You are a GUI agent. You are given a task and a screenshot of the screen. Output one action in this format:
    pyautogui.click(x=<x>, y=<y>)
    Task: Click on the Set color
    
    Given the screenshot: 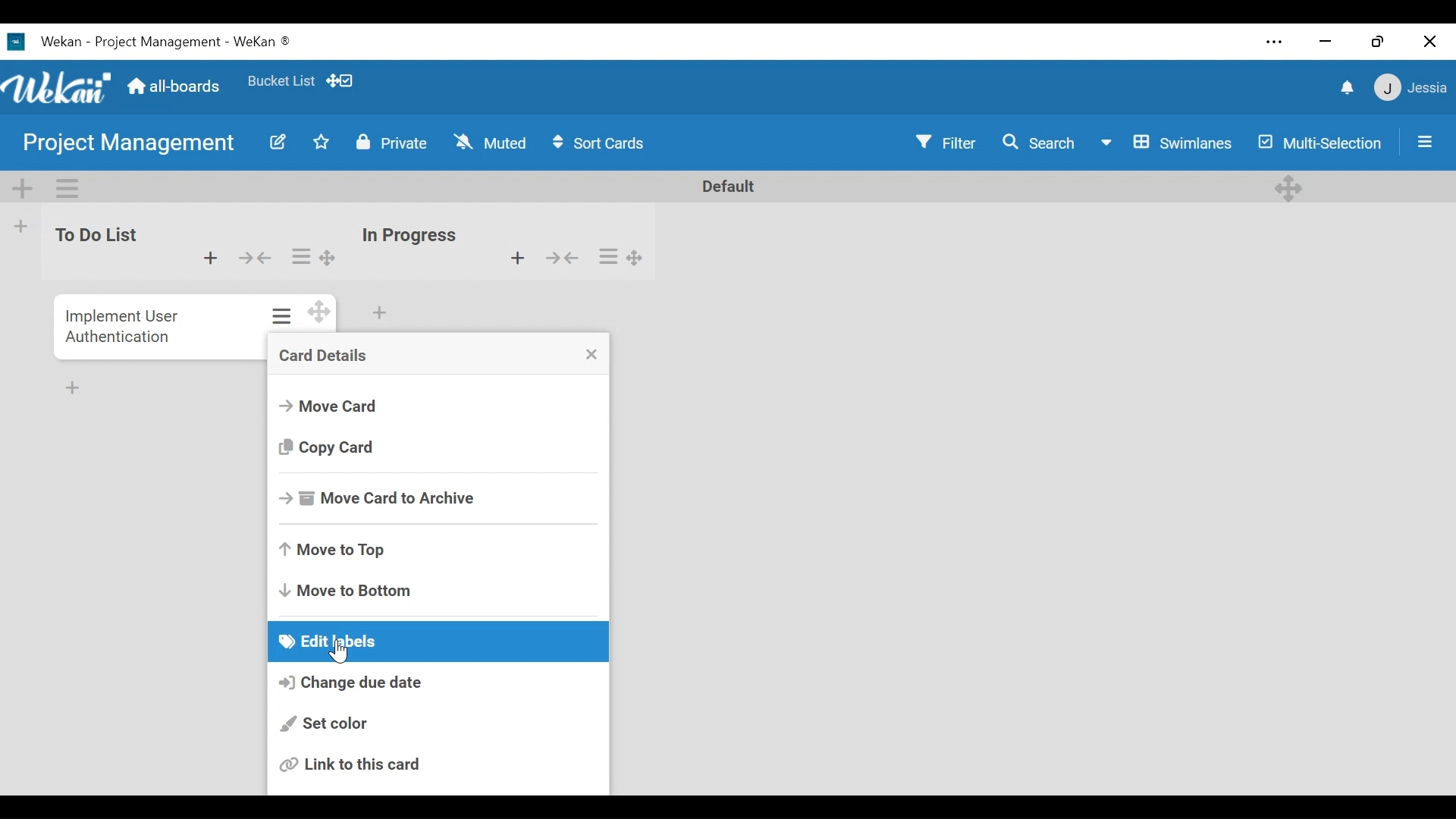 What is the action you would take?
    pyautogui.click(x=327, y=724)
    